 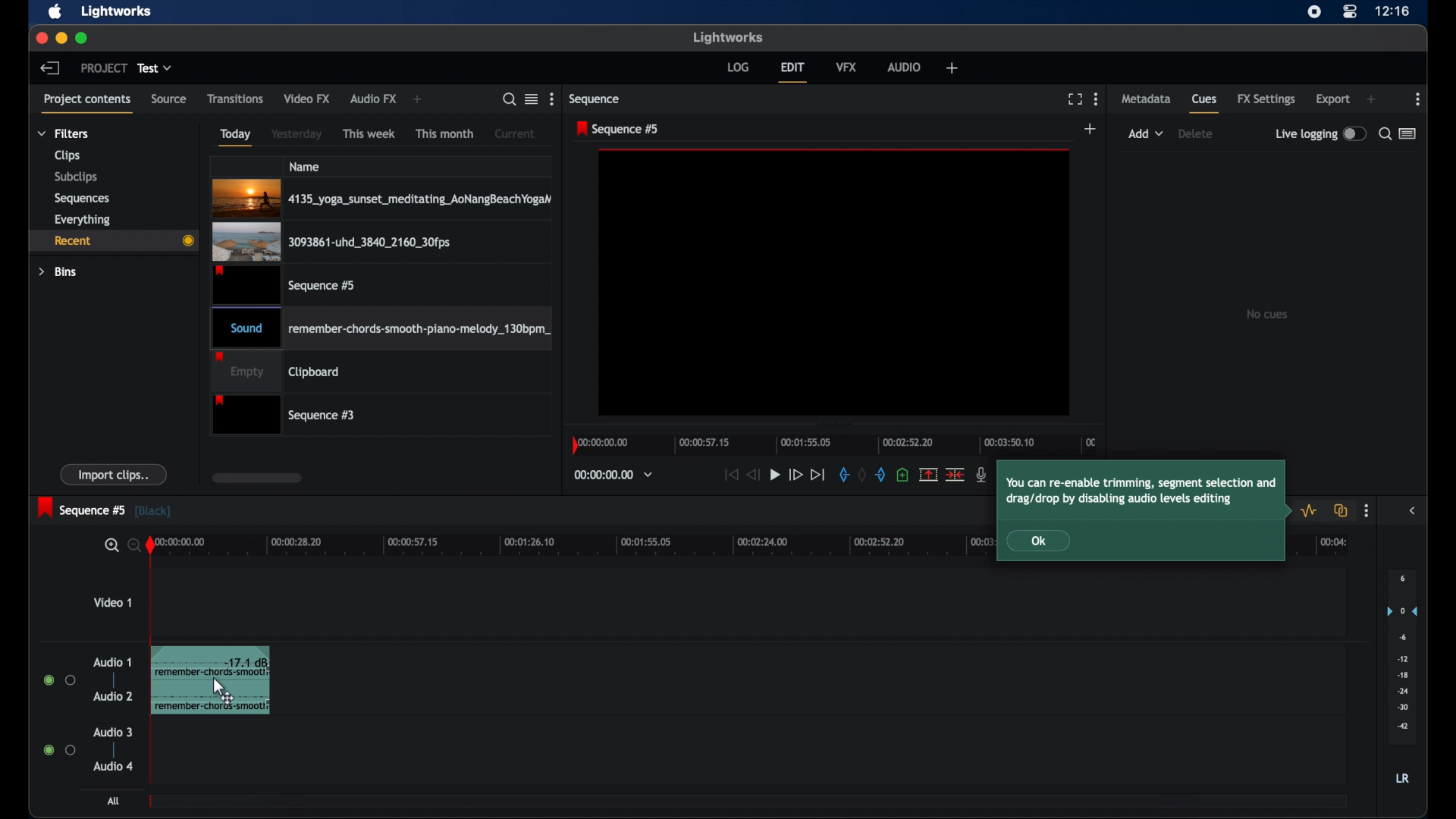 I want to click on recent, so click(x=115, y=240).